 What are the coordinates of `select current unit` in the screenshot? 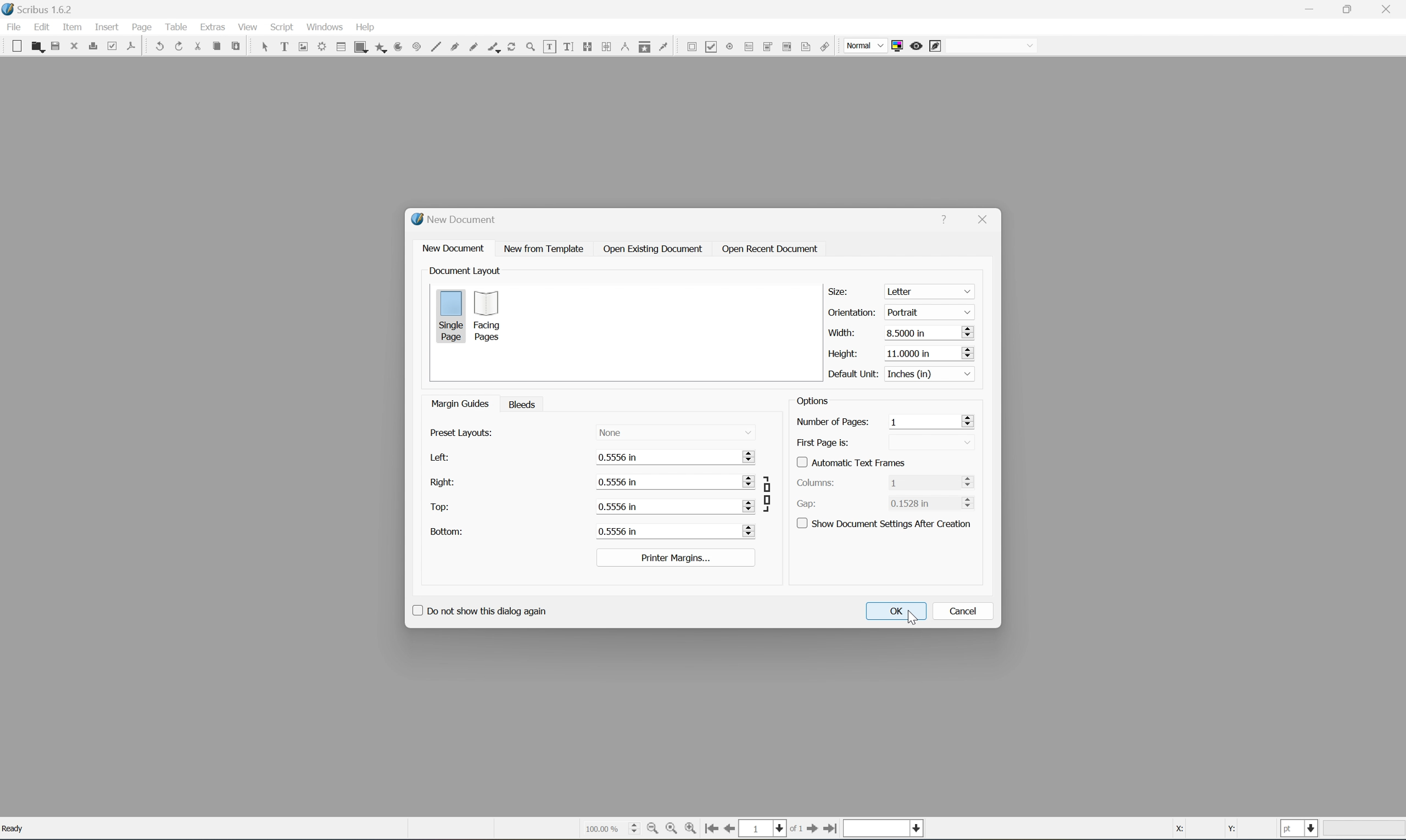 It's located at (1300, 829).